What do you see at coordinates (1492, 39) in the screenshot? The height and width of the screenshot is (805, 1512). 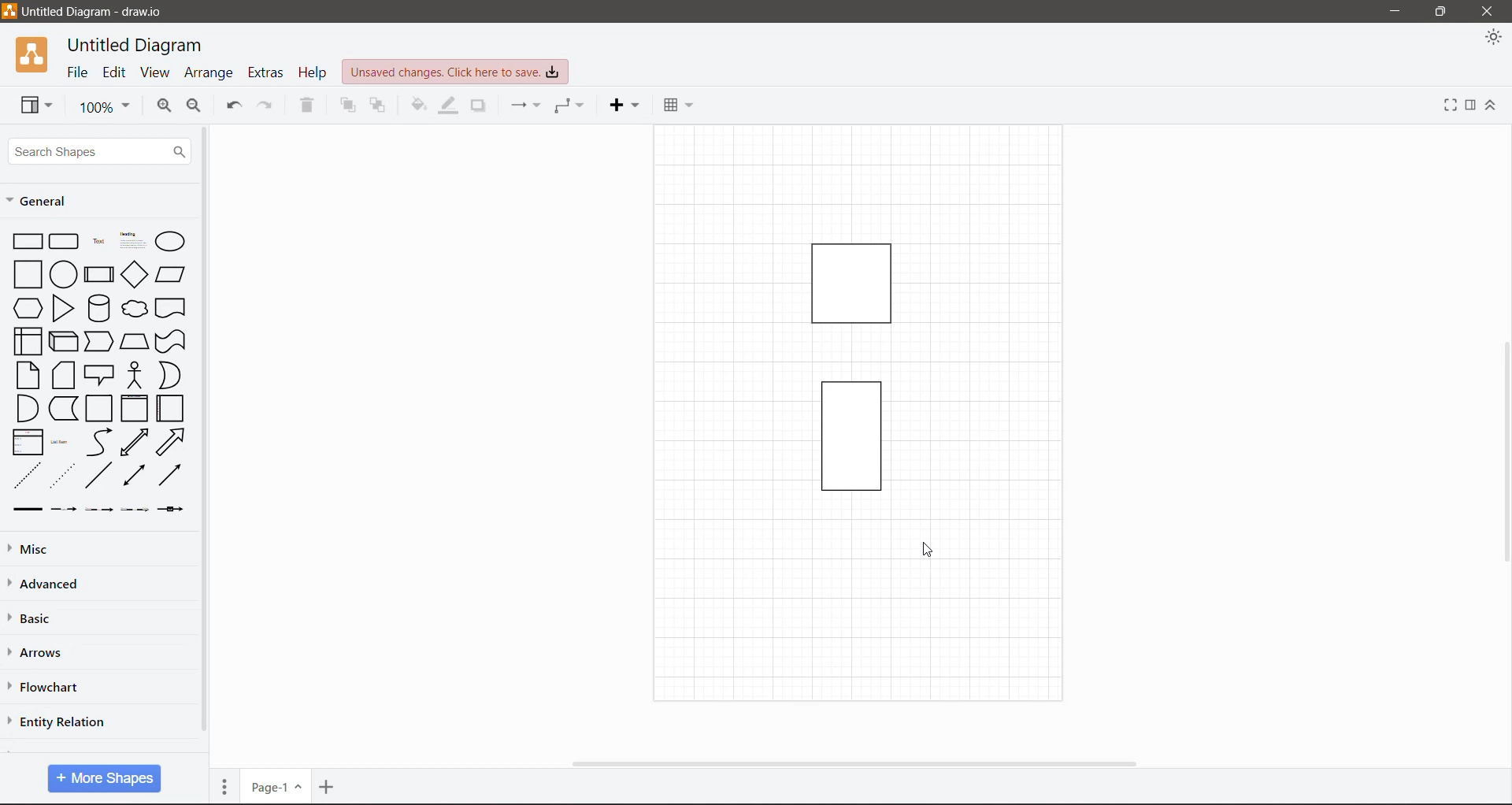 I see `Appearance` at bounding box center [1492, 39].